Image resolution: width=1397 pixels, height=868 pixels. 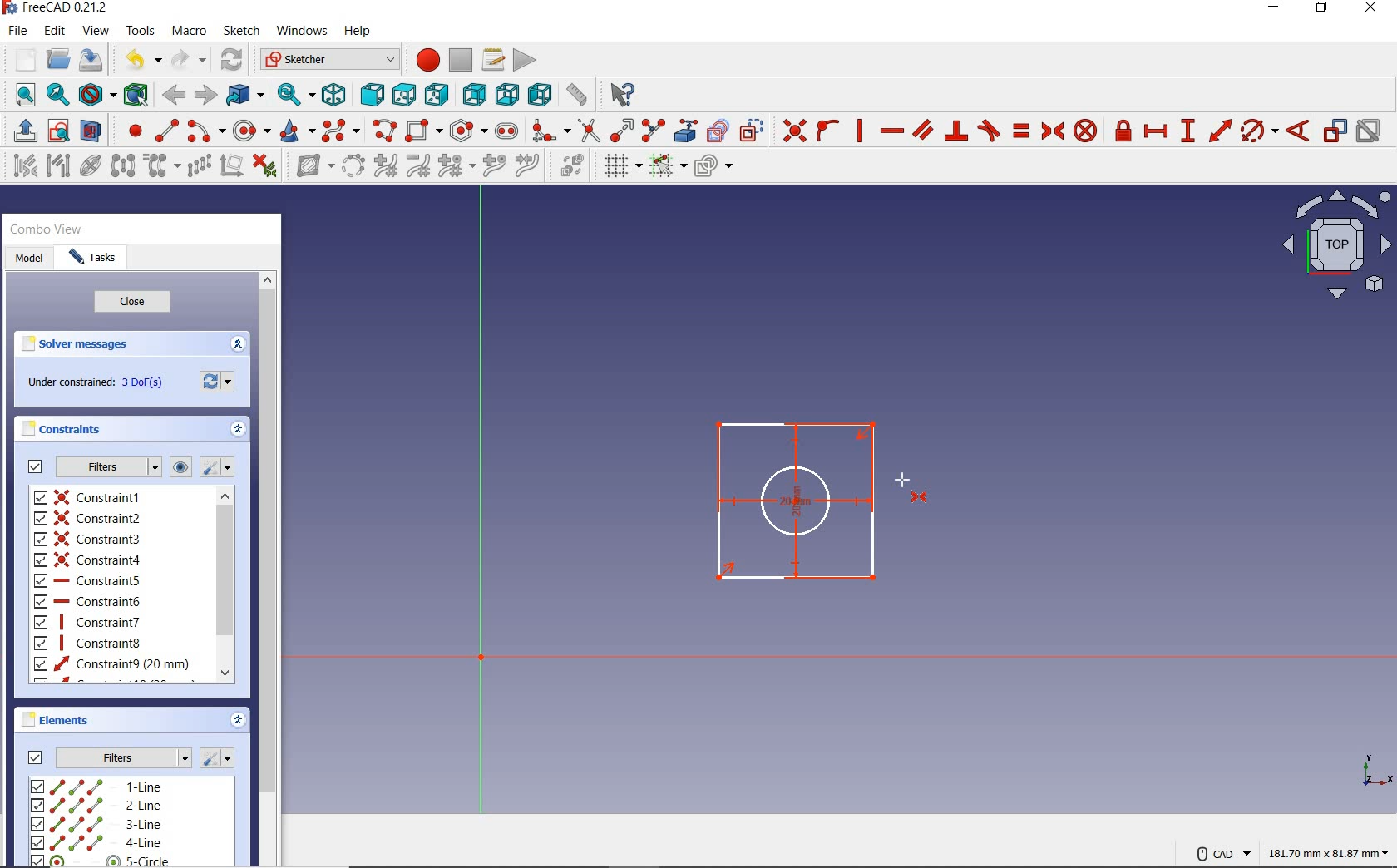 What do you see at coordinates (140, 58) in the screenshot?
I see `undo` at bounding box center [140, 58].